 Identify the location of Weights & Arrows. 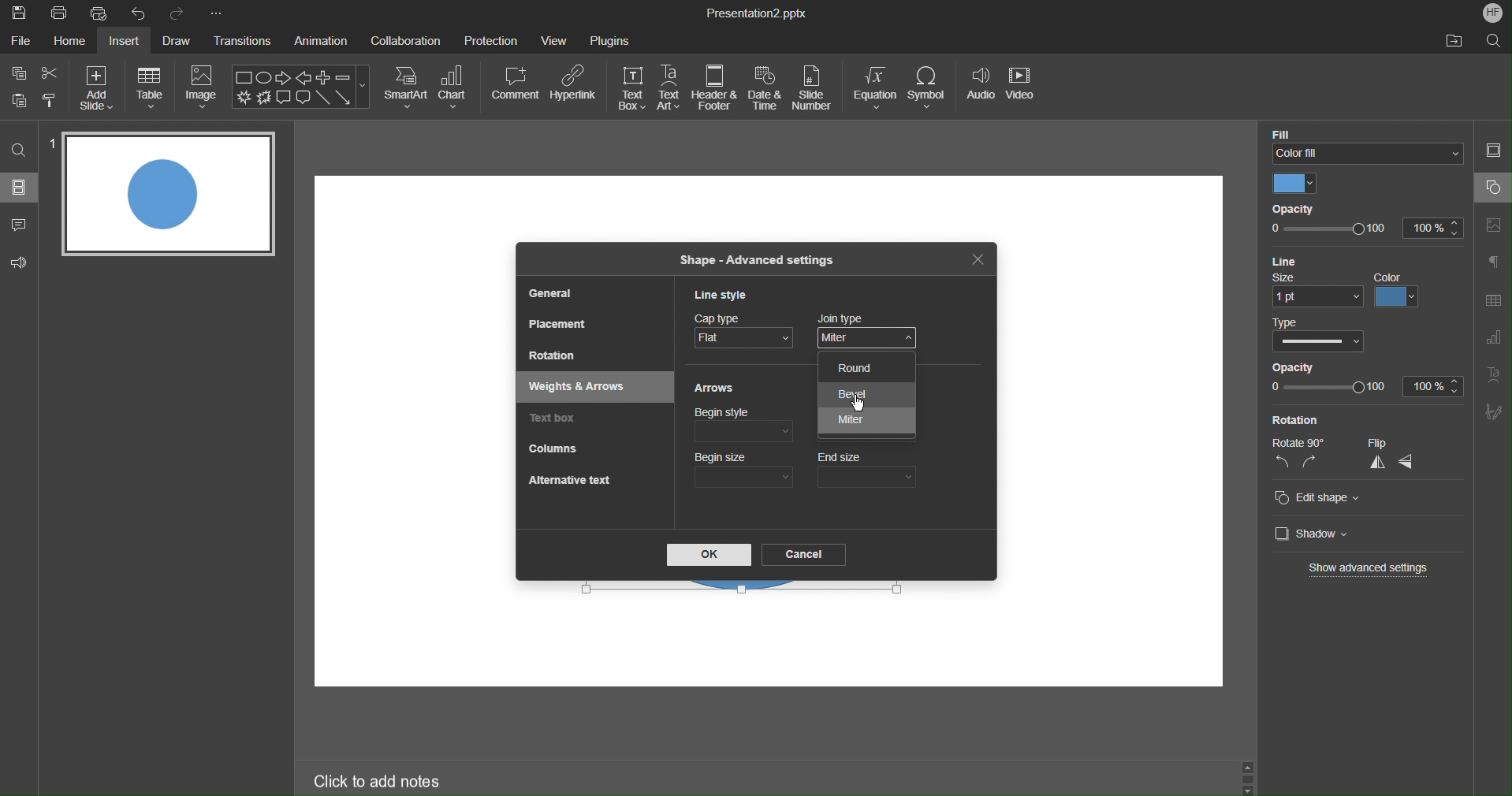
(585, 388).